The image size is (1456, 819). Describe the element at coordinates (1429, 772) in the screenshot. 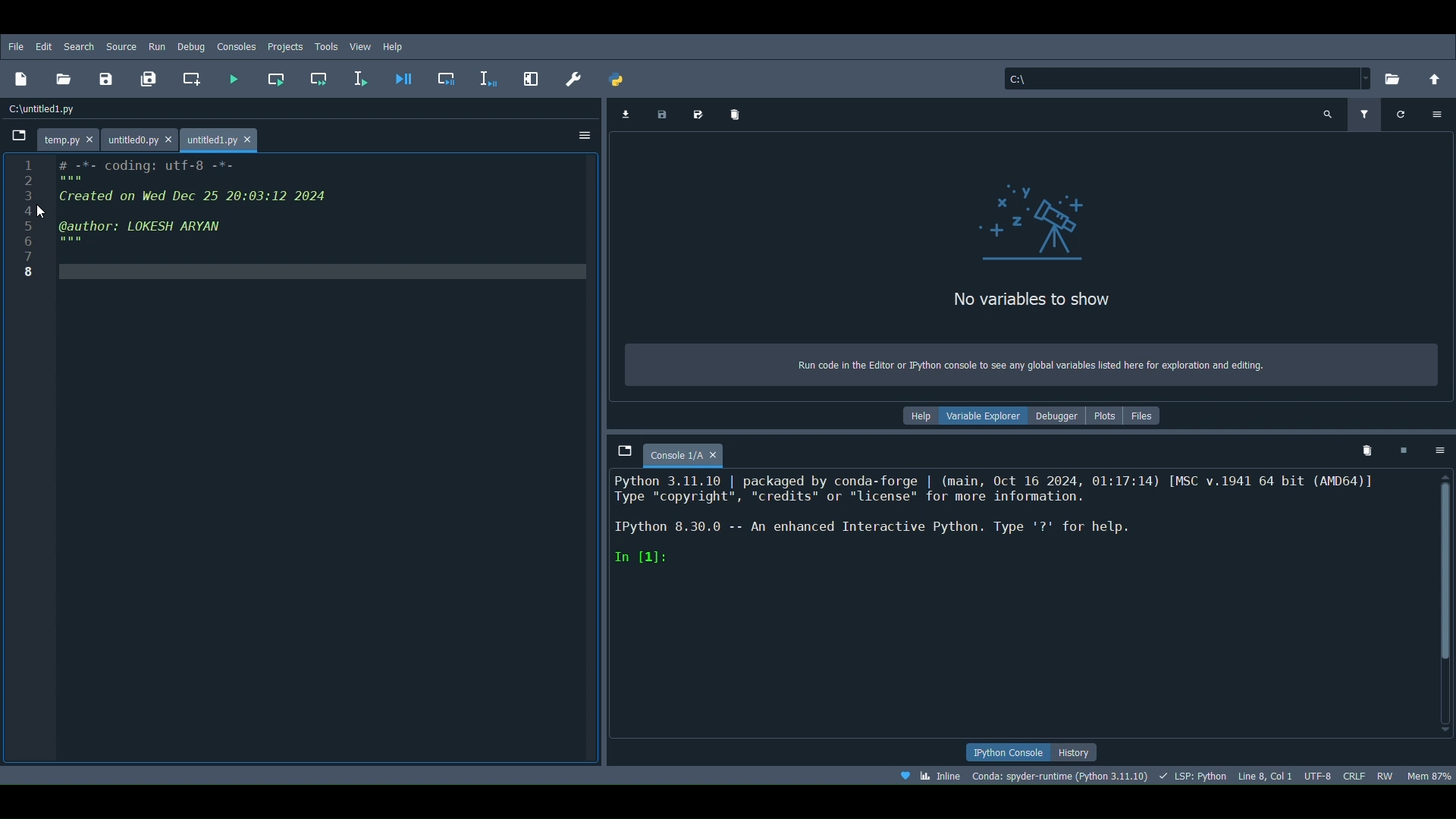

I see `Global memory usage` at that location.